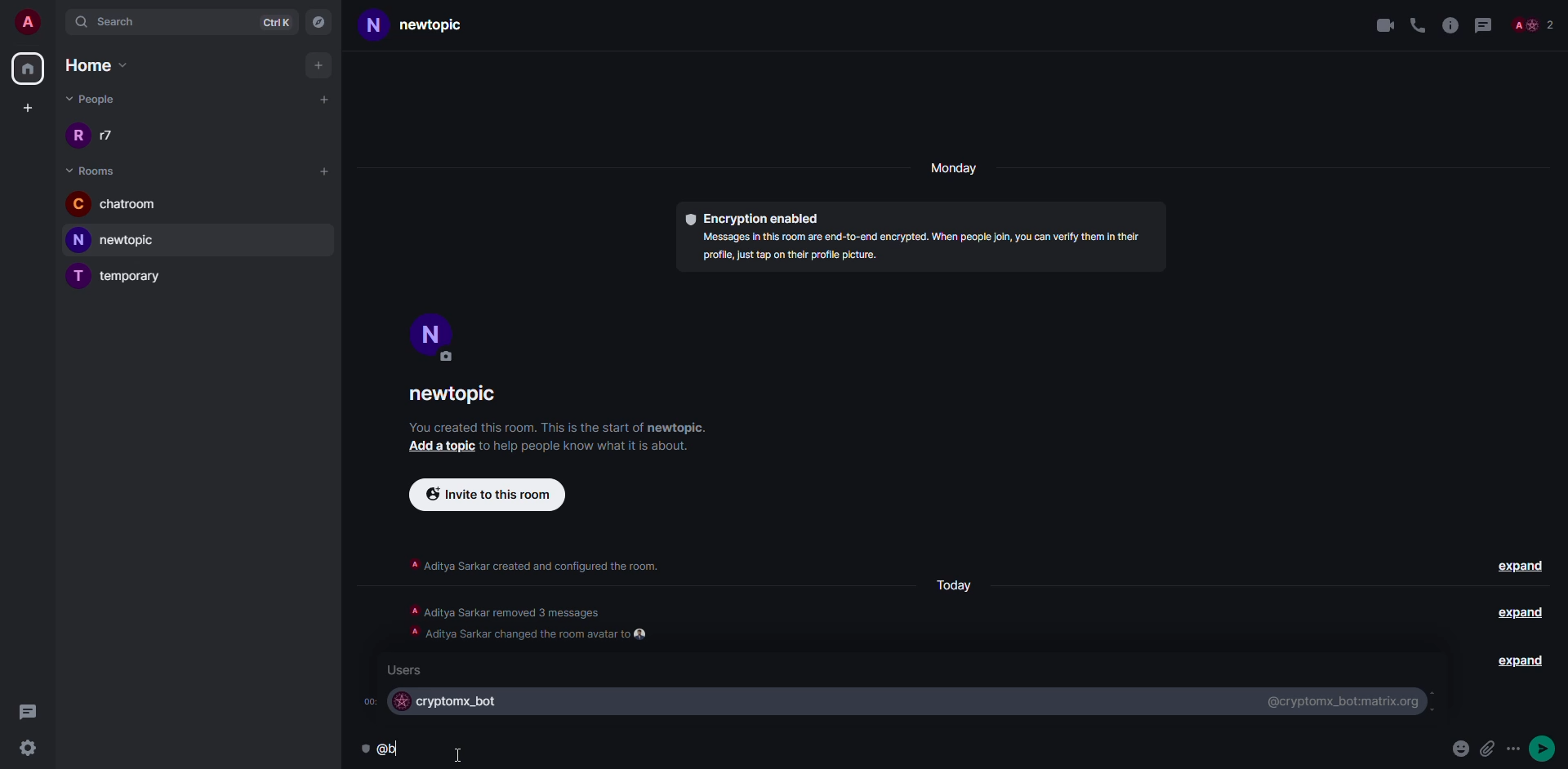 The image size is (1568, 769). Describe the element at coordinates (1515, 749) in the screenshot. I see `more` at that location.